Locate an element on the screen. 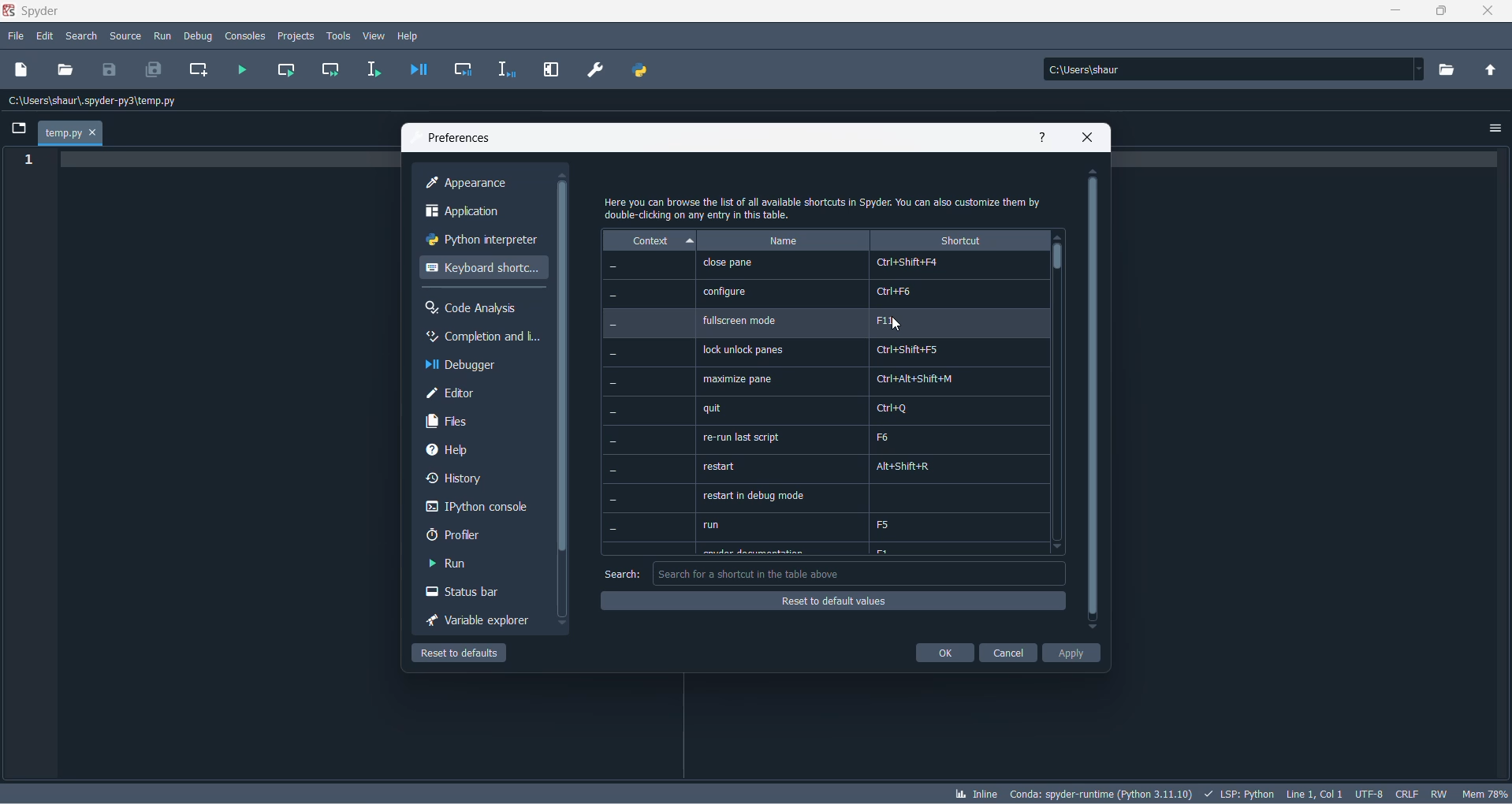 The image size is (1512, 804). quit is located at coordinates (713, 408).